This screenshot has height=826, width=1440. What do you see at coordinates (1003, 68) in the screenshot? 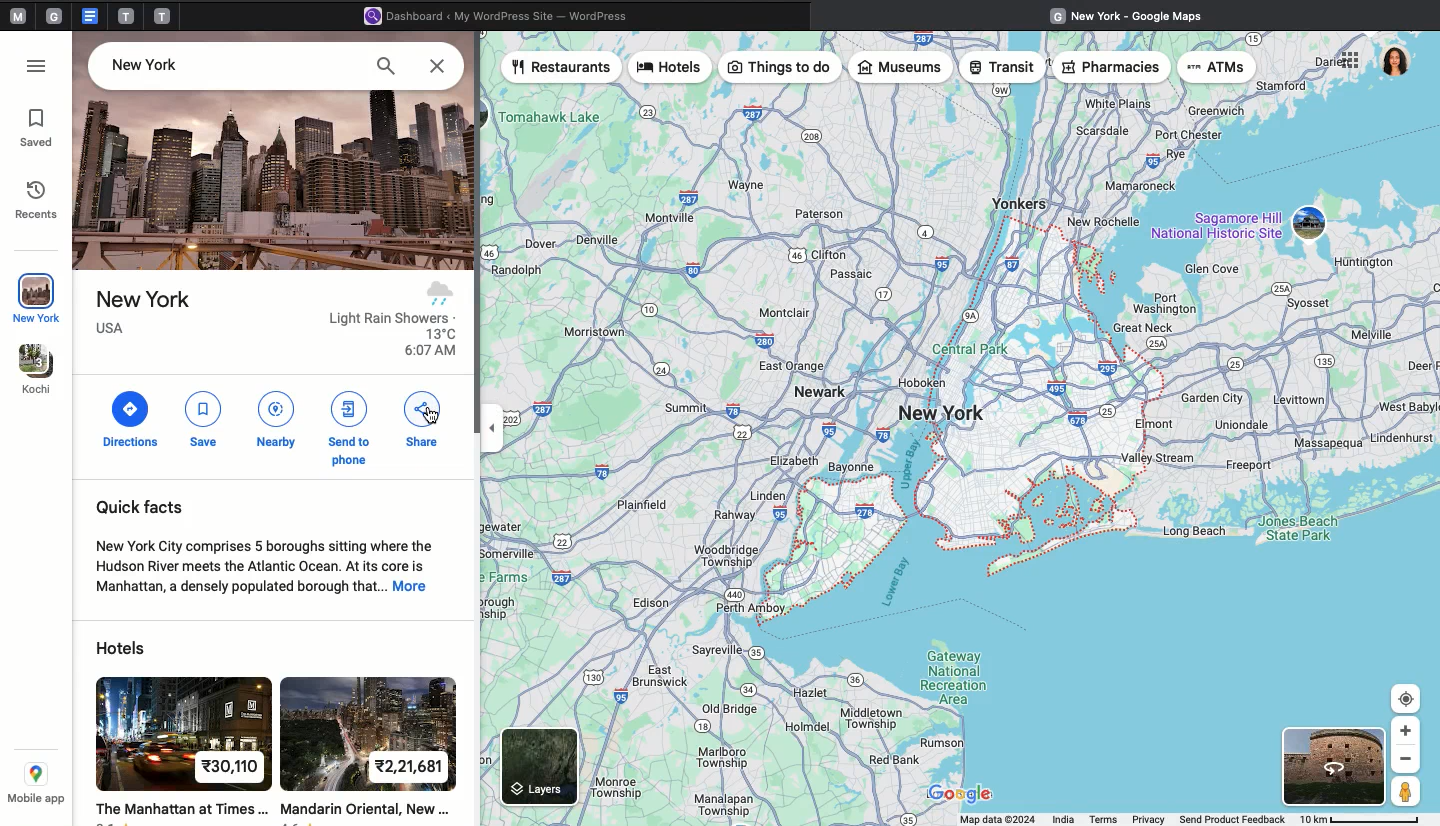
I see `Transit` at bounding box center [1003, 68].